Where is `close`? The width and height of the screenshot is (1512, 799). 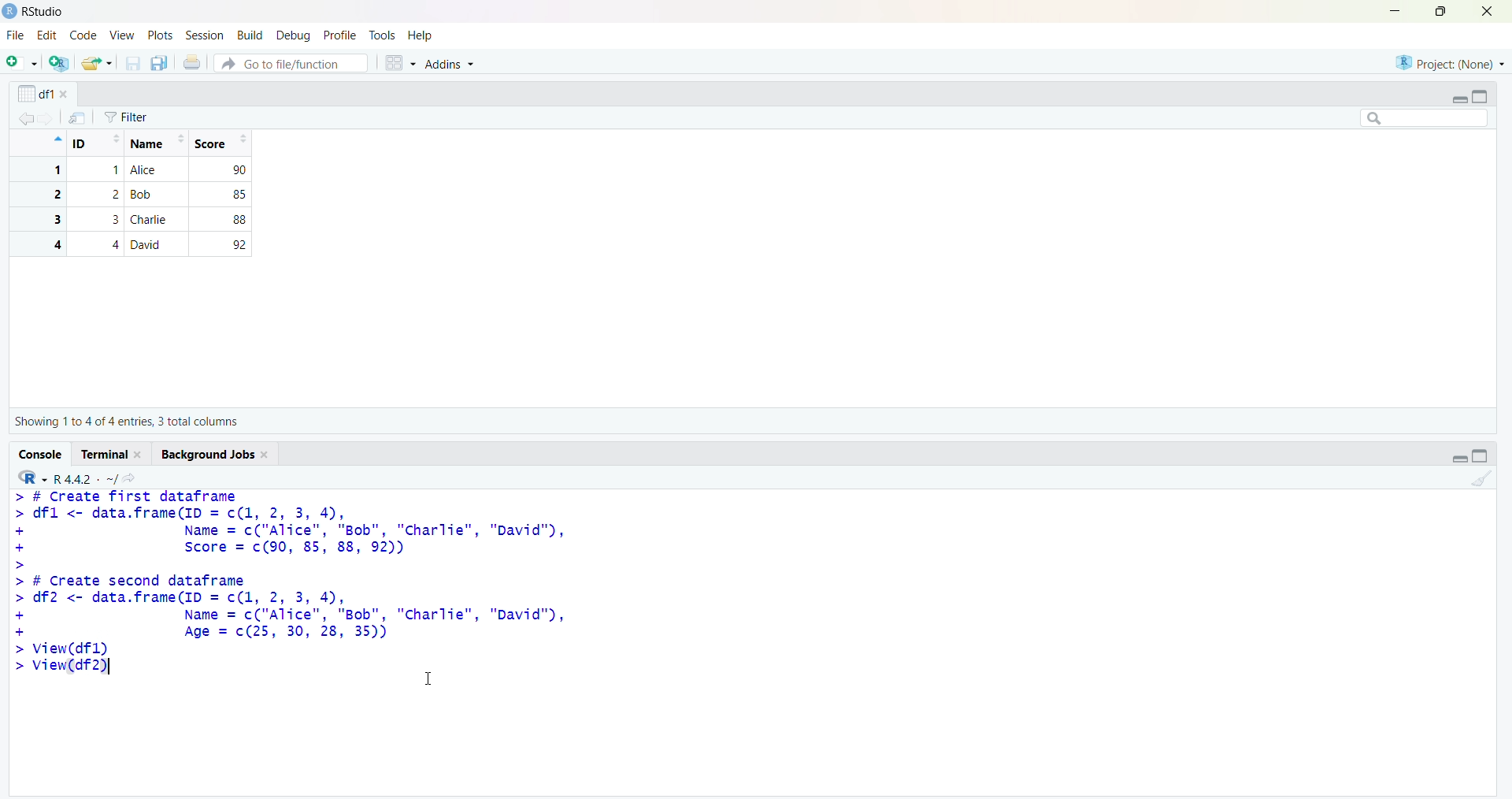
close is located at coordinates (1488, 11).